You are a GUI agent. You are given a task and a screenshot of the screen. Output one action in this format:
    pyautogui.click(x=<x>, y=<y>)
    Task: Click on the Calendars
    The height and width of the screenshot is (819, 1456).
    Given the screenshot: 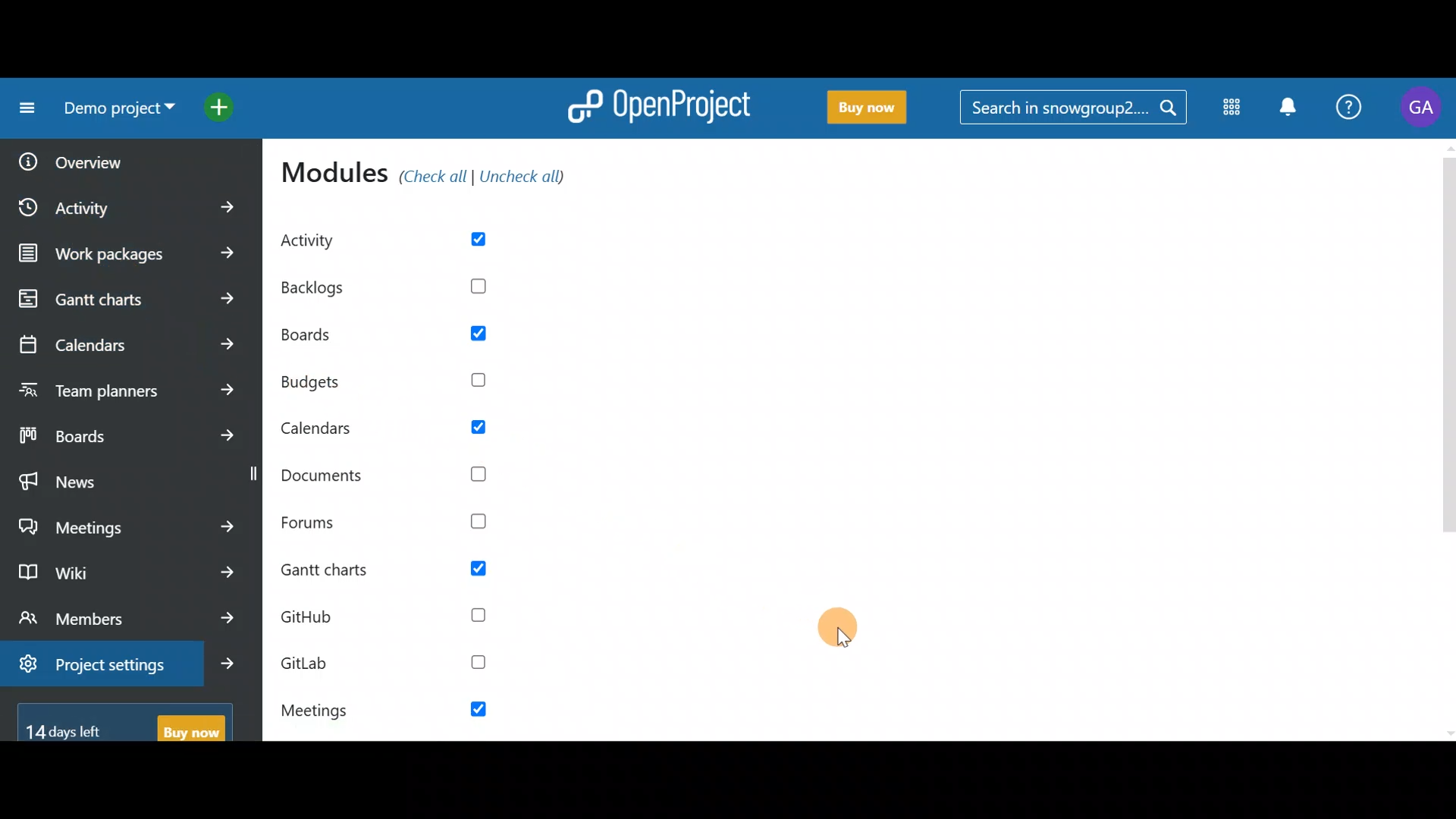 What is the action you would take?
    pyautogui.click(x=401, y=432)
    